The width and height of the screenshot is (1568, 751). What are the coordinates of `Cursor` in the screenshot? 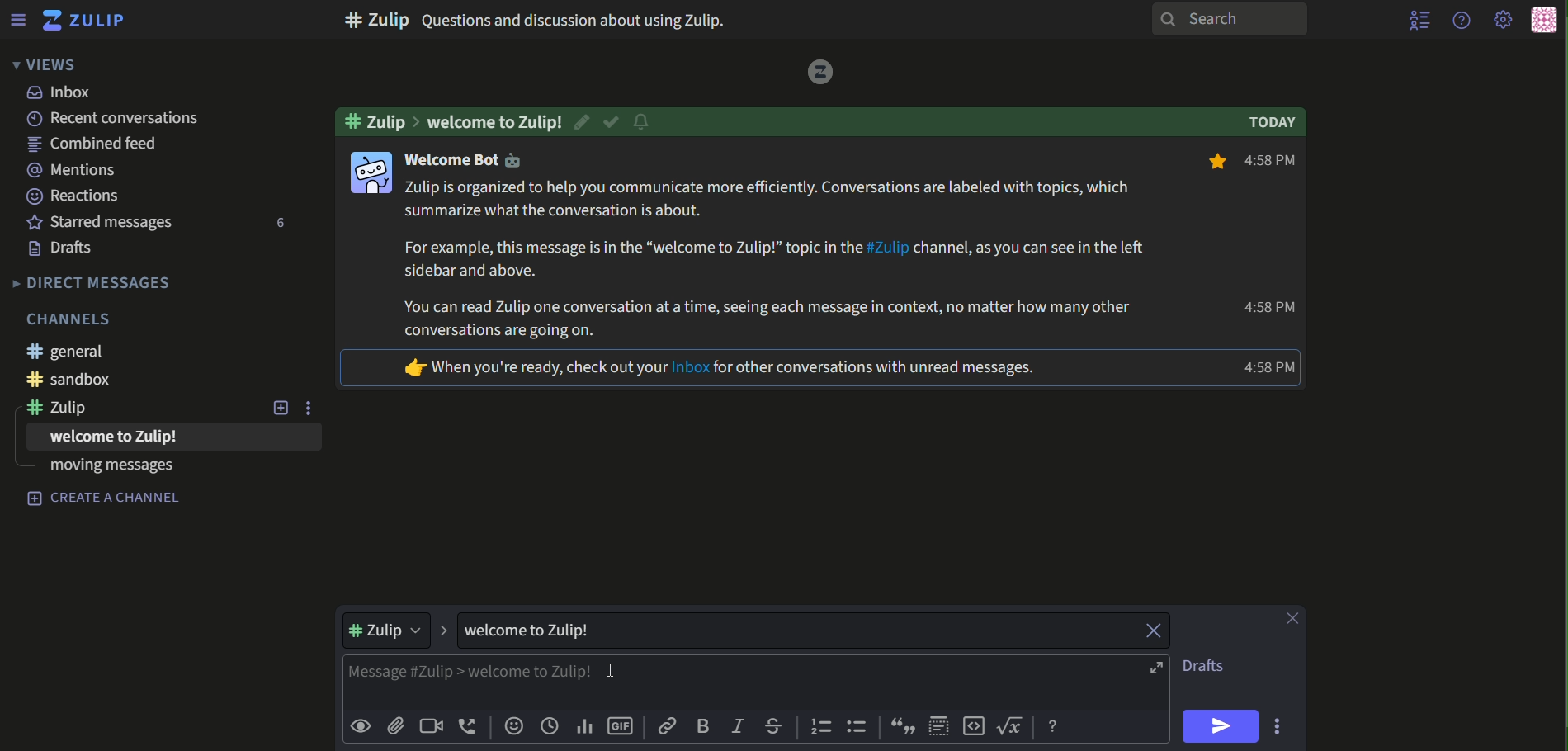 It's located at (615, 672).